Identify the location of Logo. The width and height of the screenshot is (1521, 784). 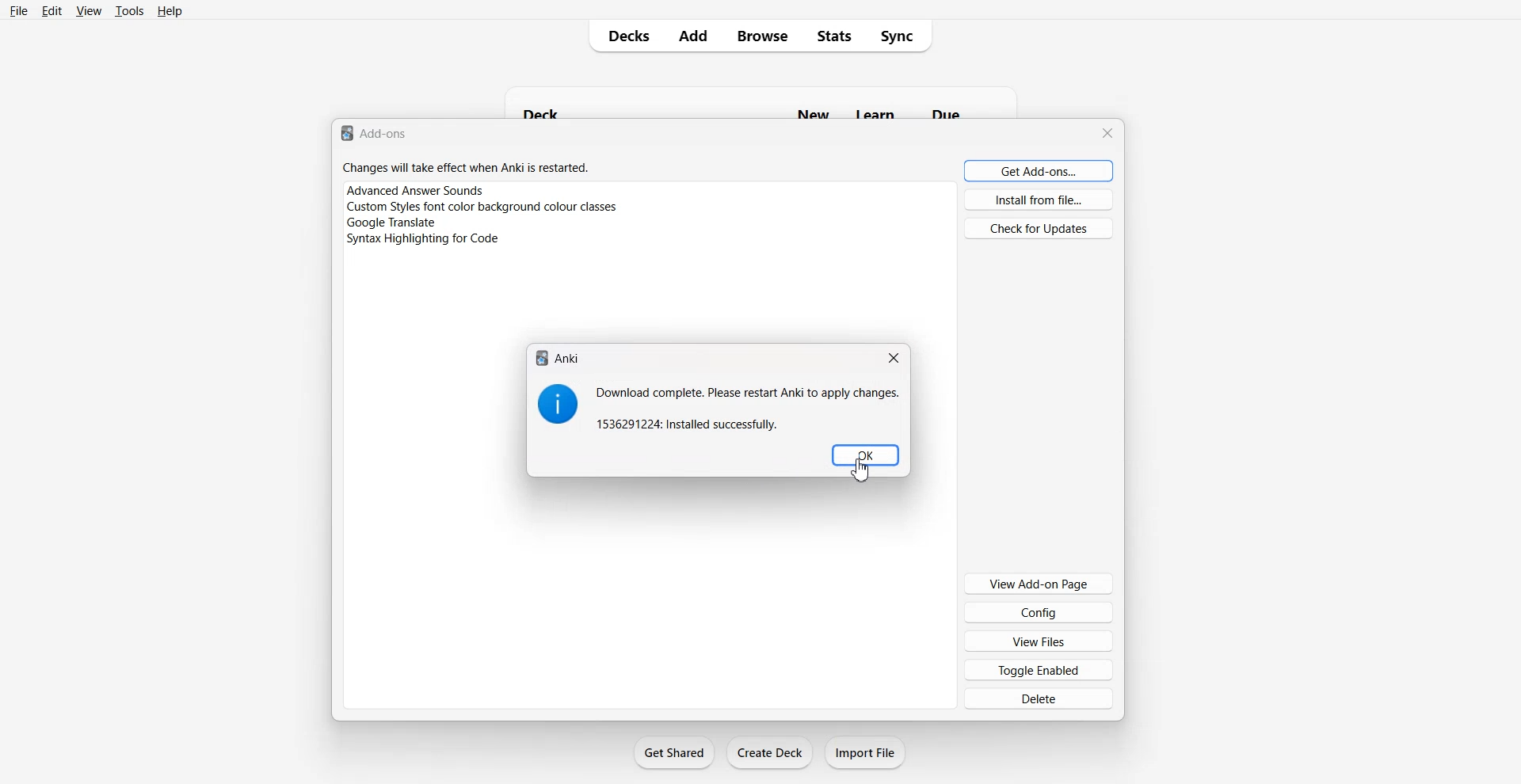
(558, 403).